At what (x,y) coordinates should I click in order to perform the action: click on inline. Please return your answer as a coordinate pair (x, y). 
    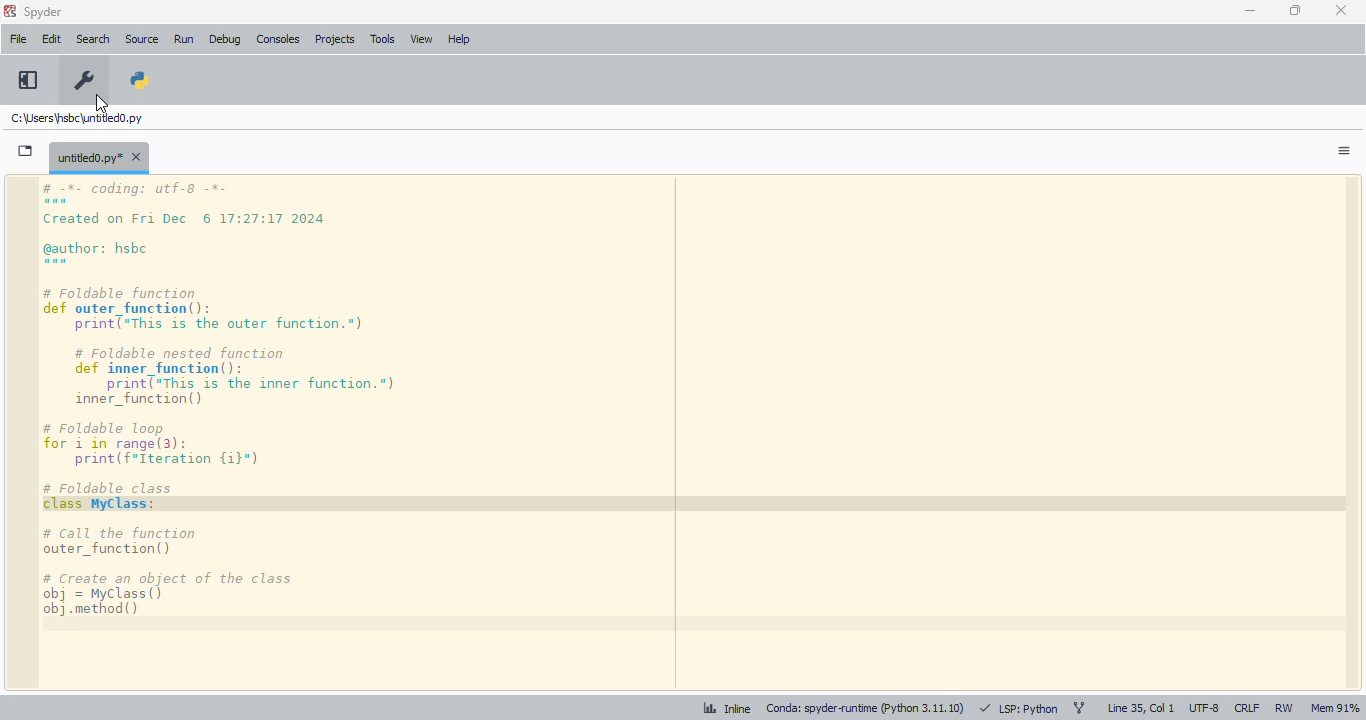
    Looking at the image, I should click on (725, 708).